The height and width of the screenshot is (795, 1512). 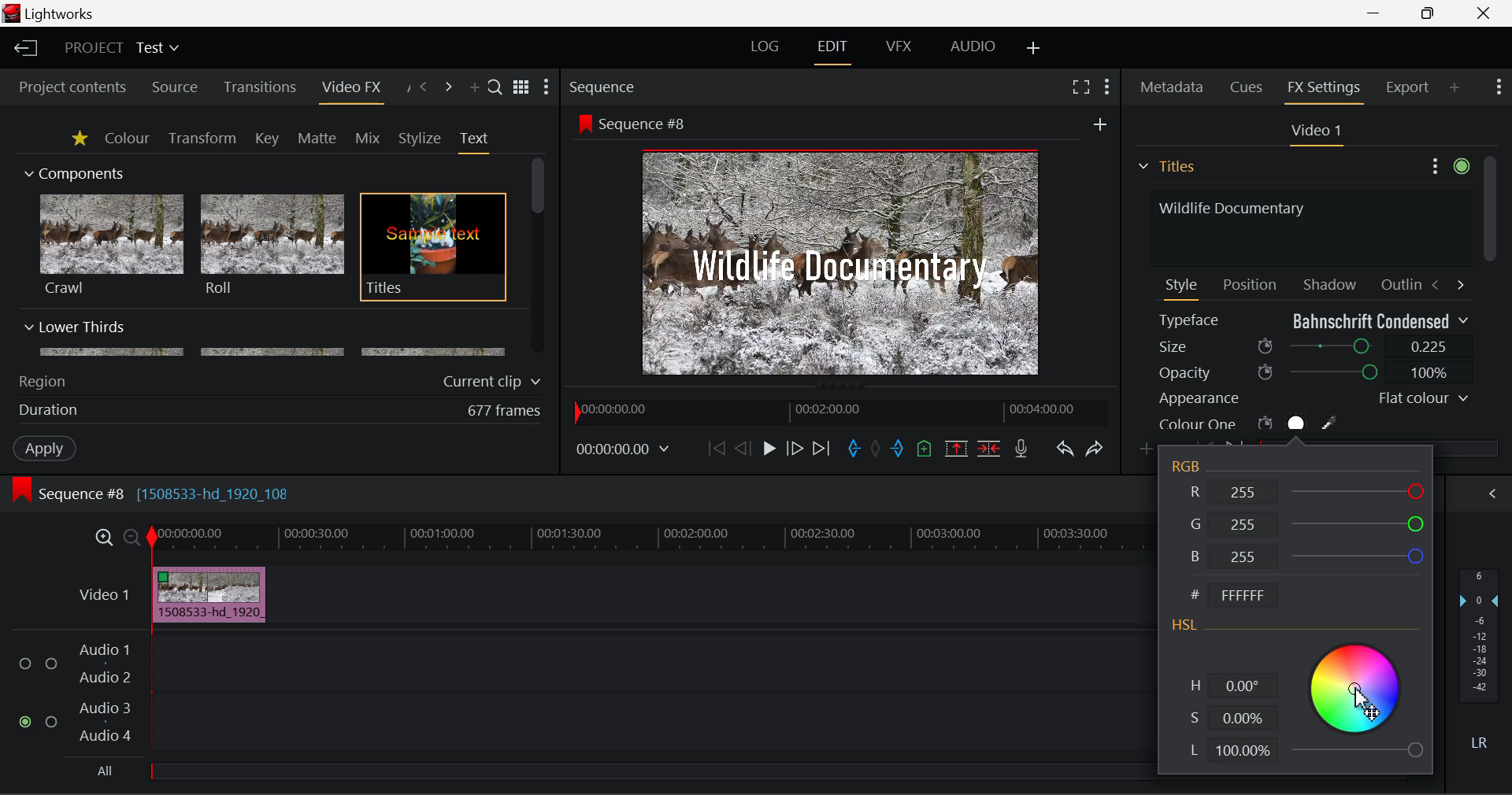 What do you see at coordinates (595, 86) in the screenshot?
I see `Sequence Preview Section` at bounding box center [595, 86].